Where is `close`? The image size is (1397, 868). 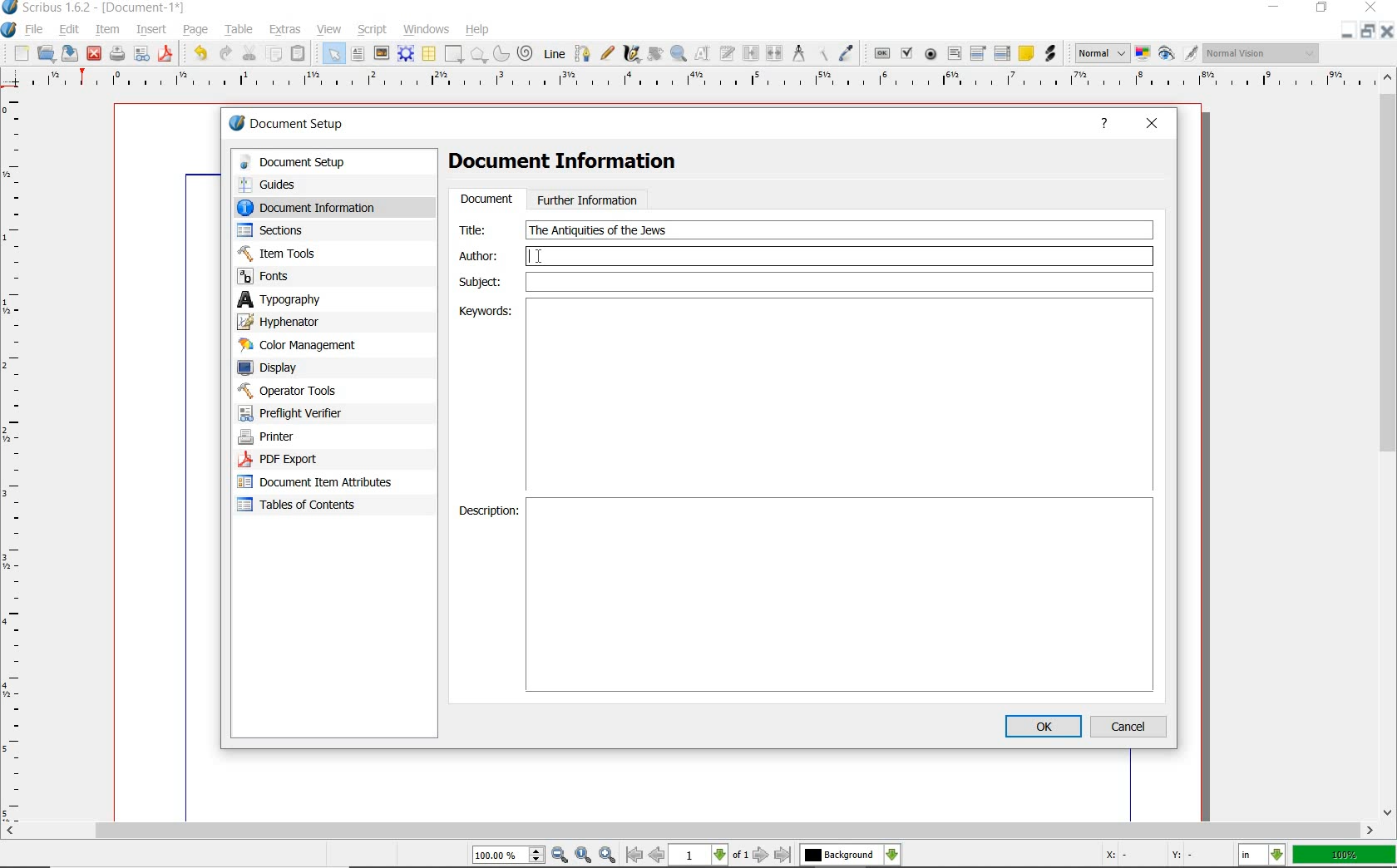 close is located at coordinates (1389, 31).